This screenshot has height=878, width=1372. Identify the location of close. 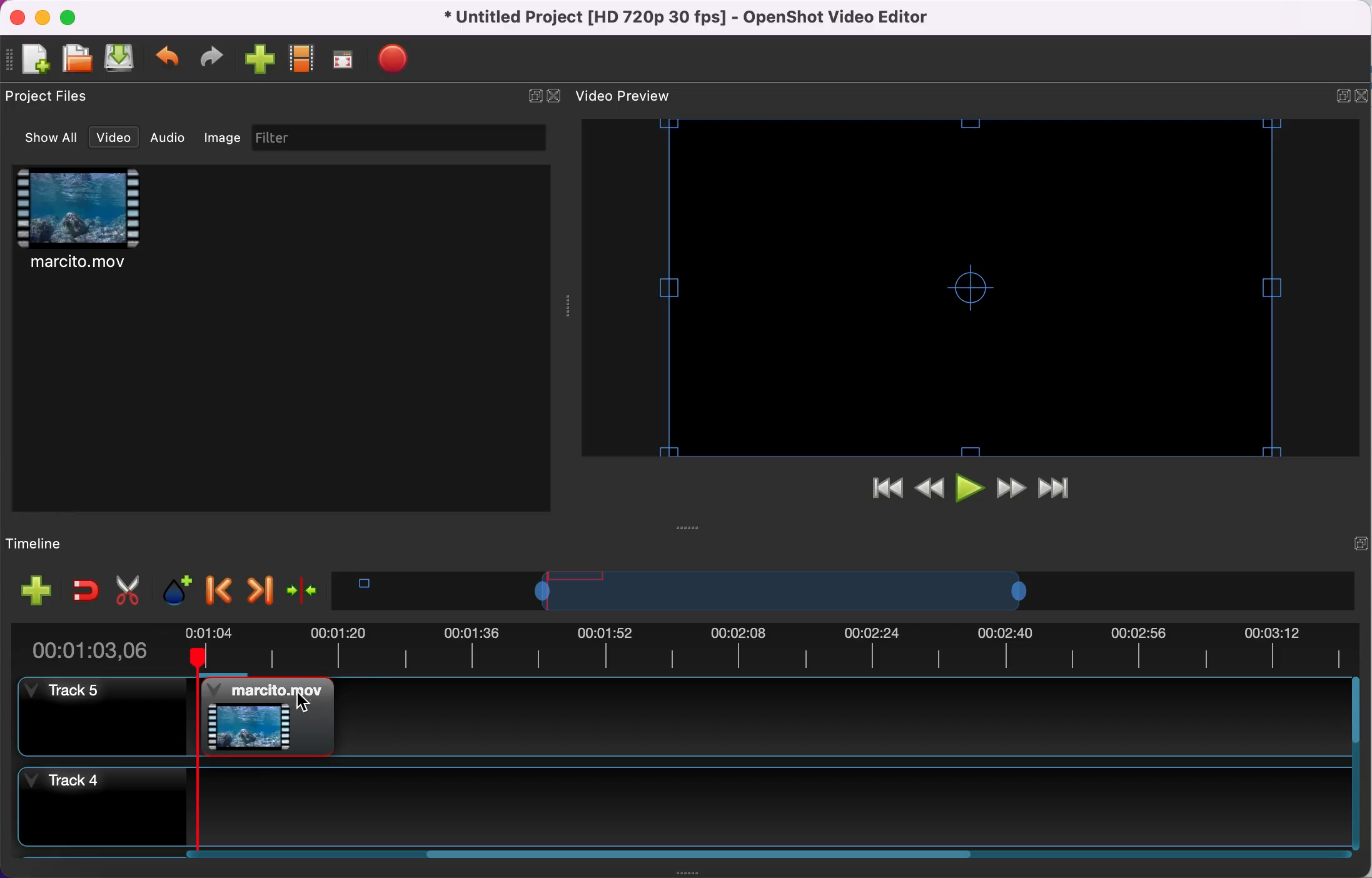
(19, 17).